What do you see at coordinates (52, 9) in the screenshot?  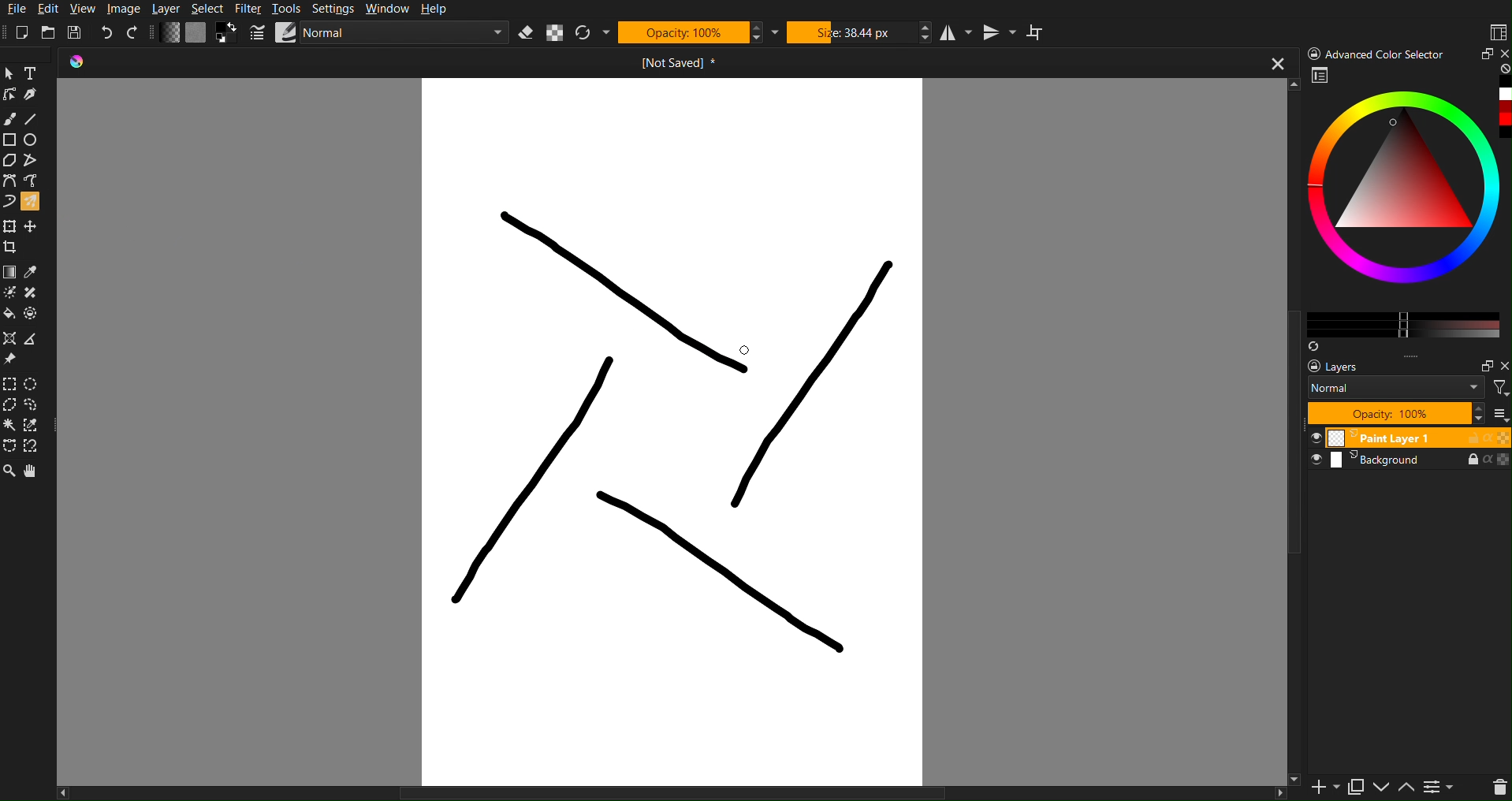 I see `Edit` at bounding box center [52, 9].